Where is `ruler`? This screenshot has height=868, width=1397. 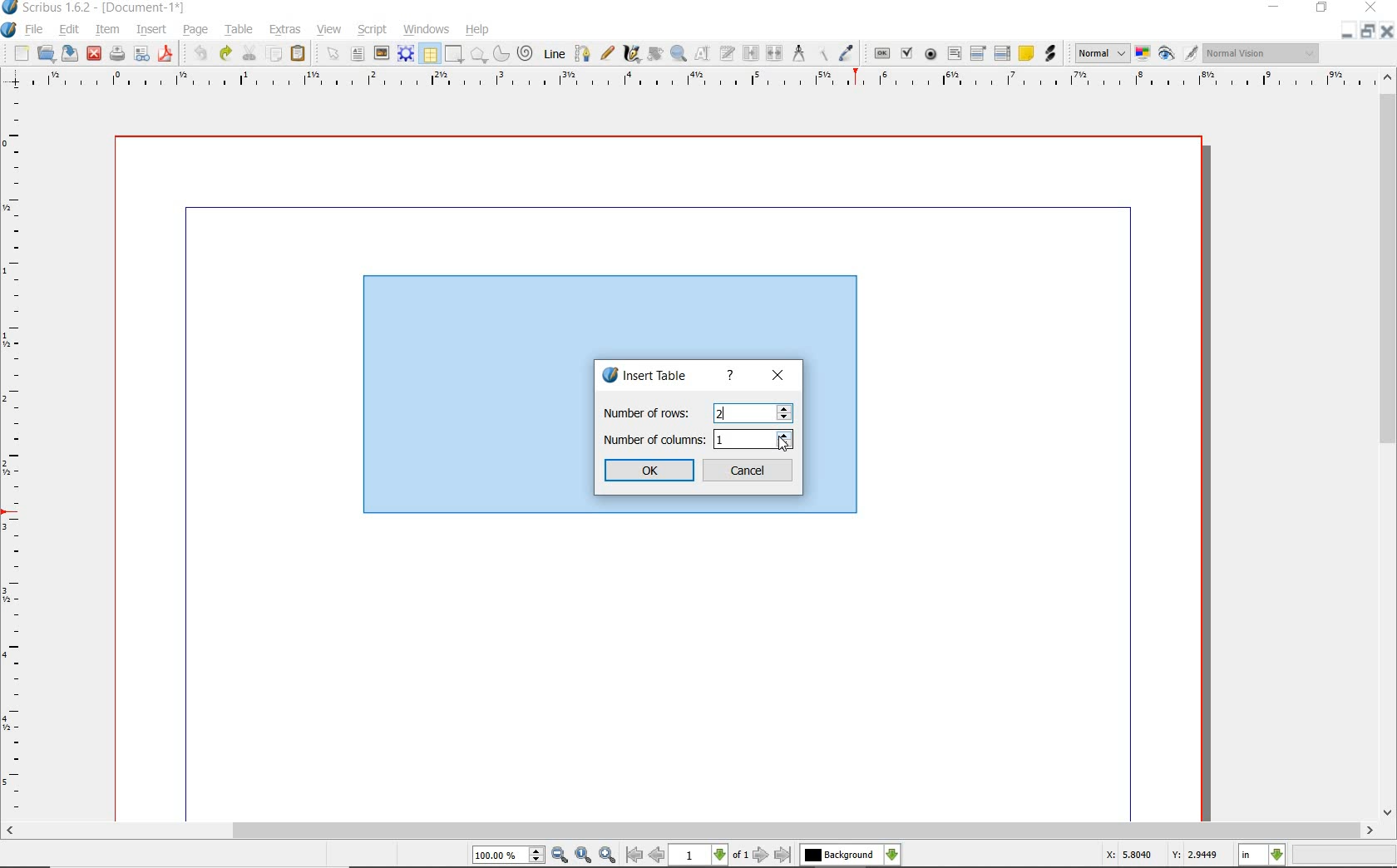
ruler is located at coordinates (706, 80).